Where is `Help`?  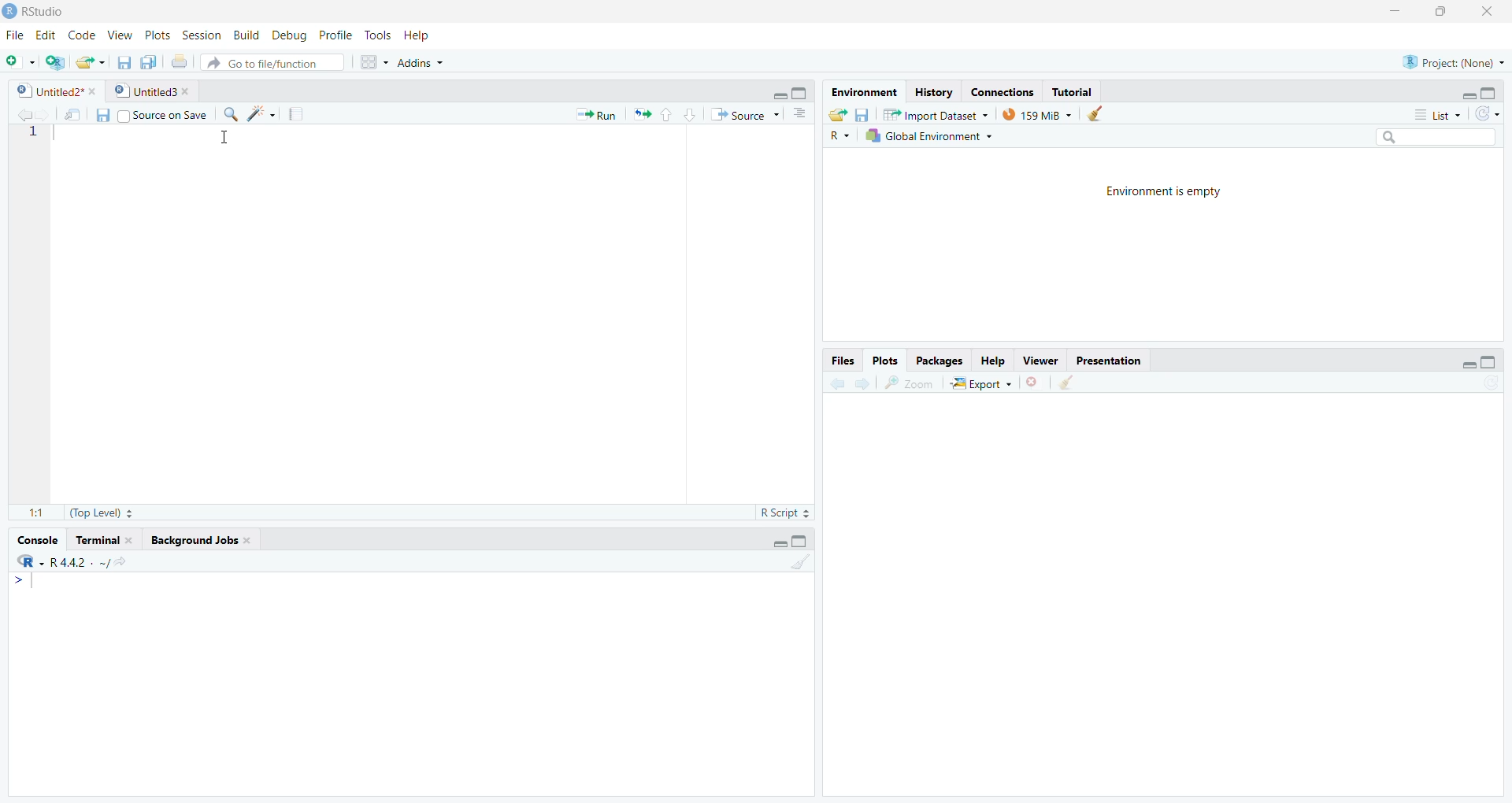 Help is located at coordinates (418, 35).